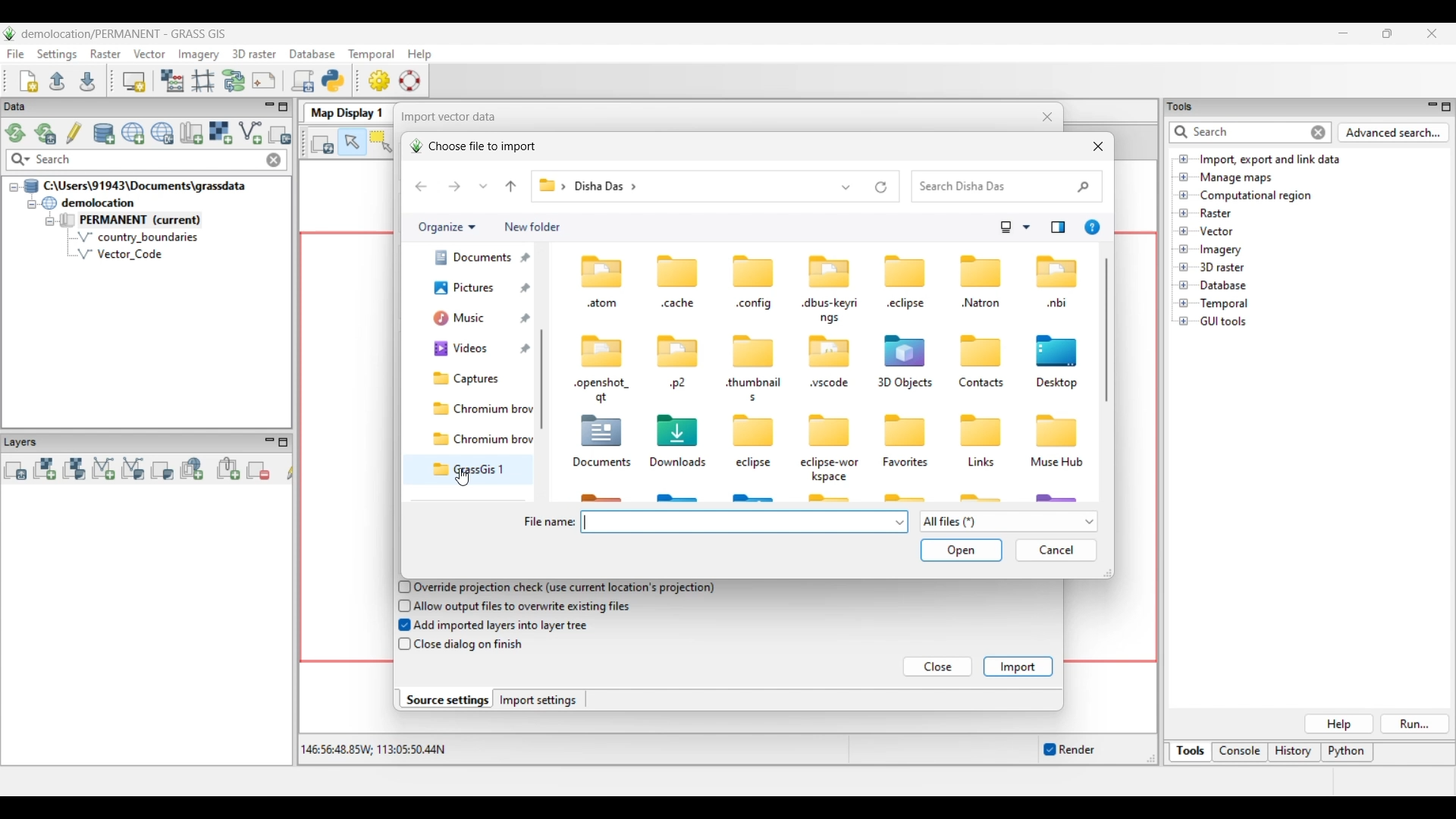 This screenshot has height=819, width=1456. What do you see at coordinates (228, 469) in the screenshot?
I see `Add group` at bounding box center [228, 469].